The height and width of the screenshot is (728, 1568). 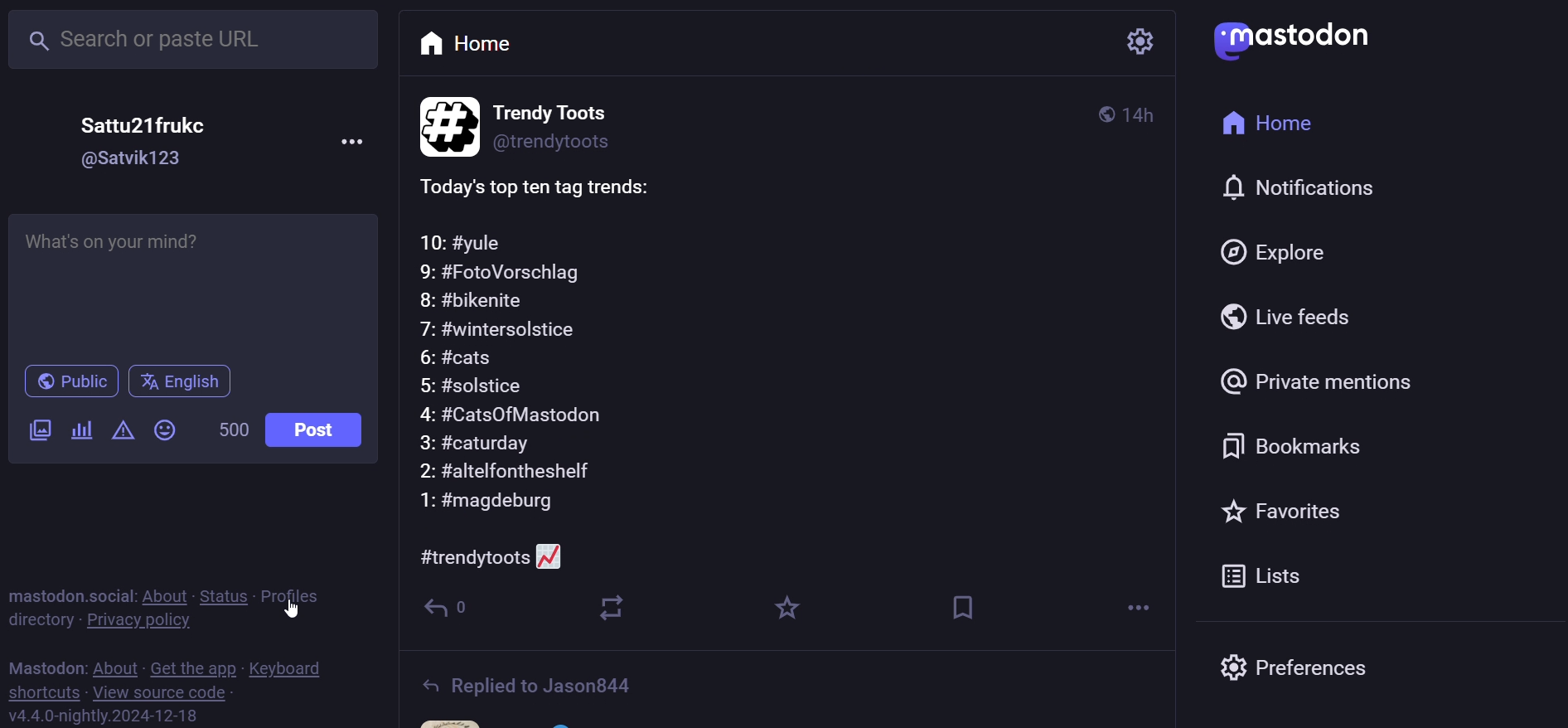 What do you see at coordinates (148, 124) in the screenshot?
I see `Sattu21frukc` at bounding box center [148, 124].